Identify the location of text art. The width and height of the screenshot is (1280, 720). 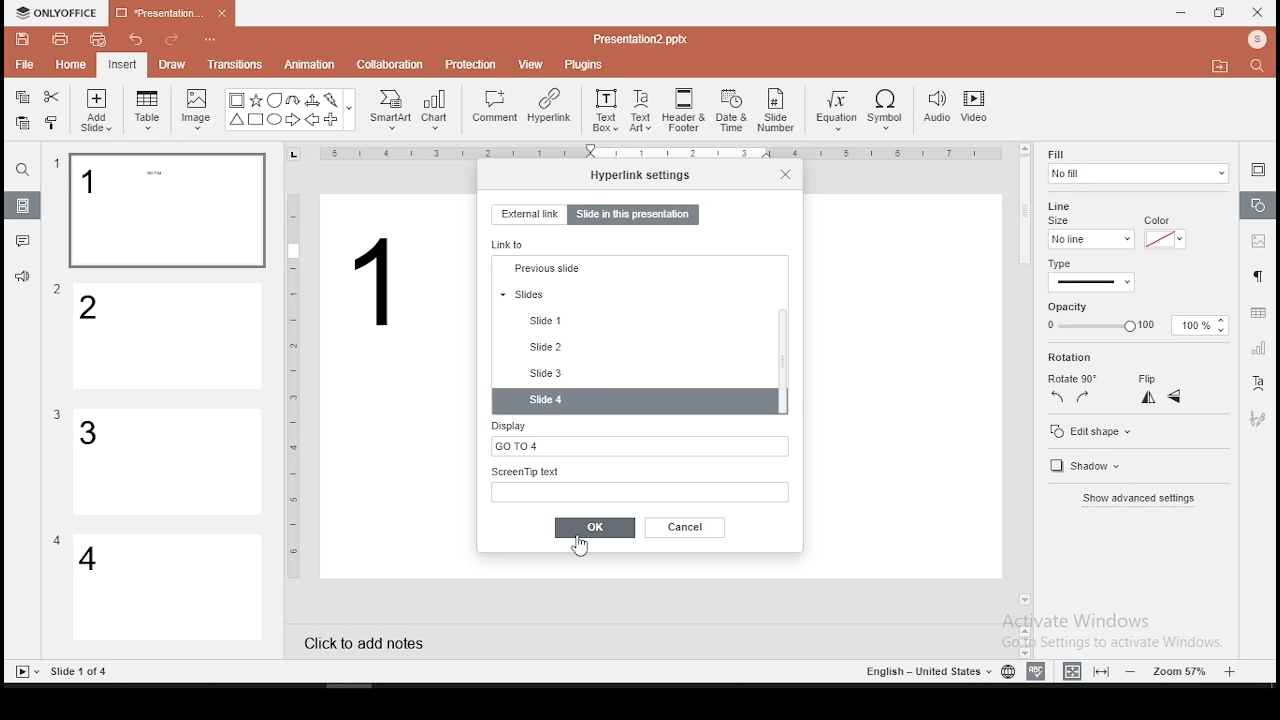
(641, 109).